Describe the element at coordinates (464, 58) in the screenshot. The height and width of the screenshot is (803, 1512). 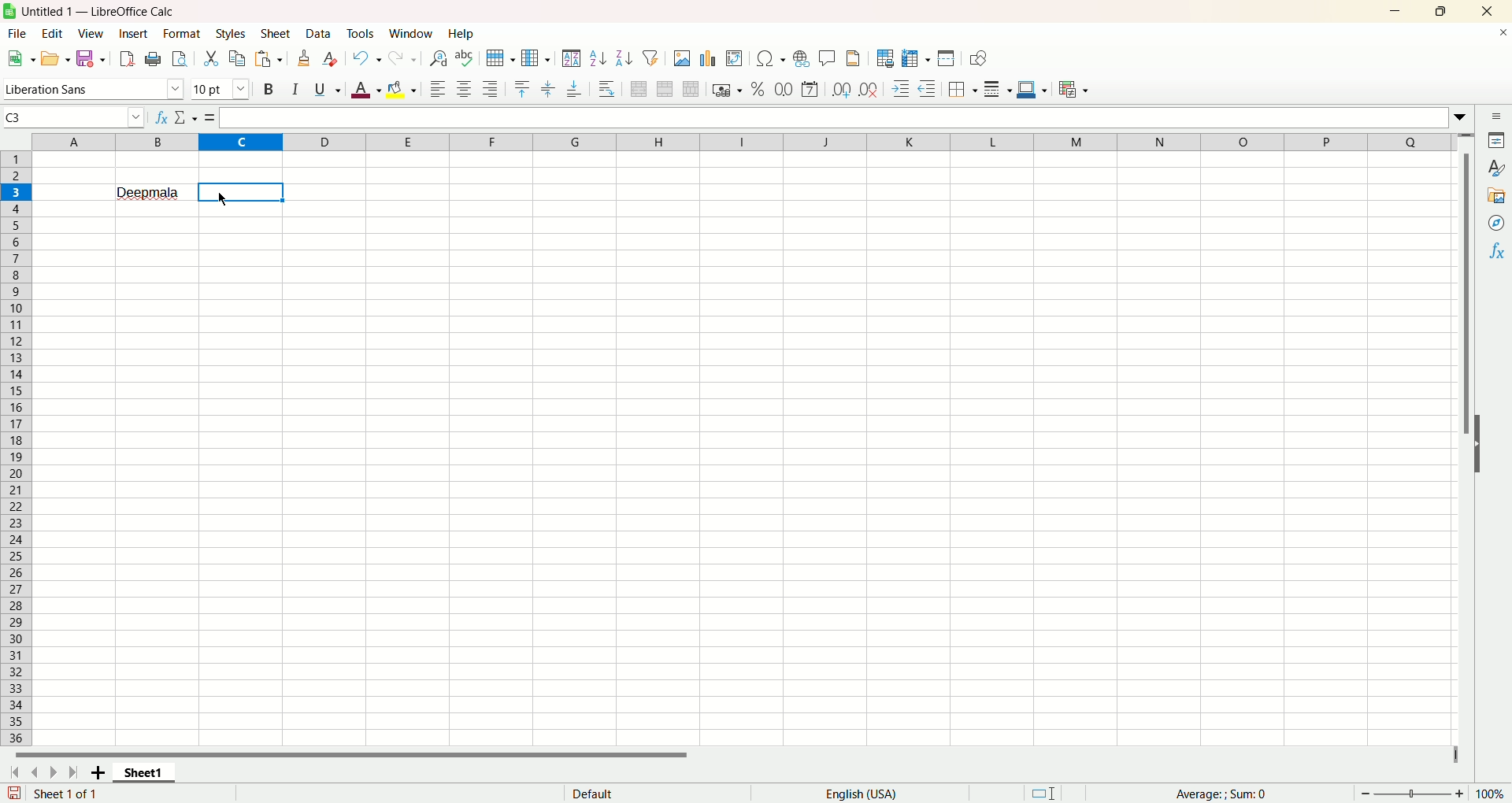
I see `spell check` at that location.